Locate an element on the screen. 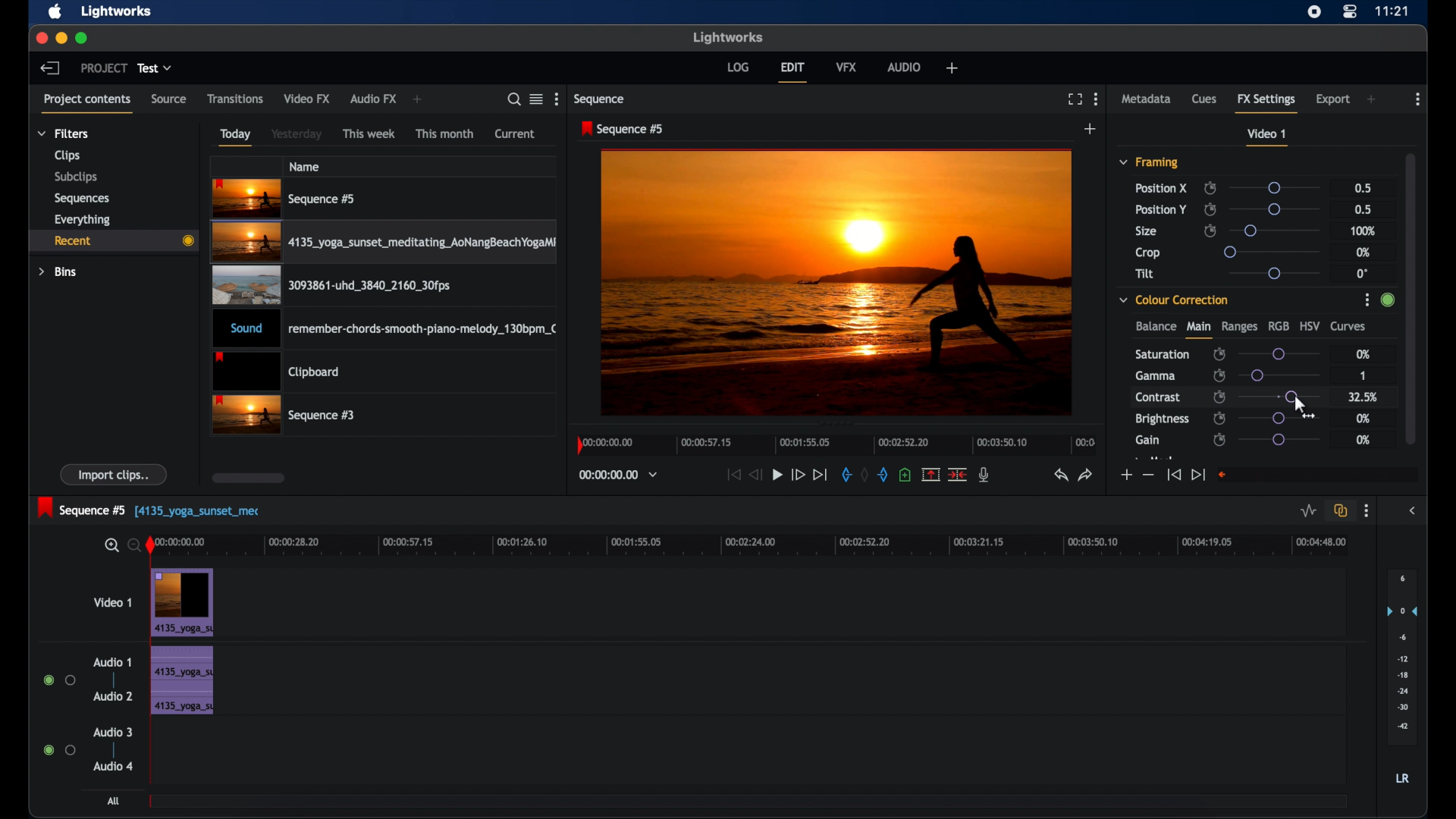  slider is located at coordinates (1279, 440).